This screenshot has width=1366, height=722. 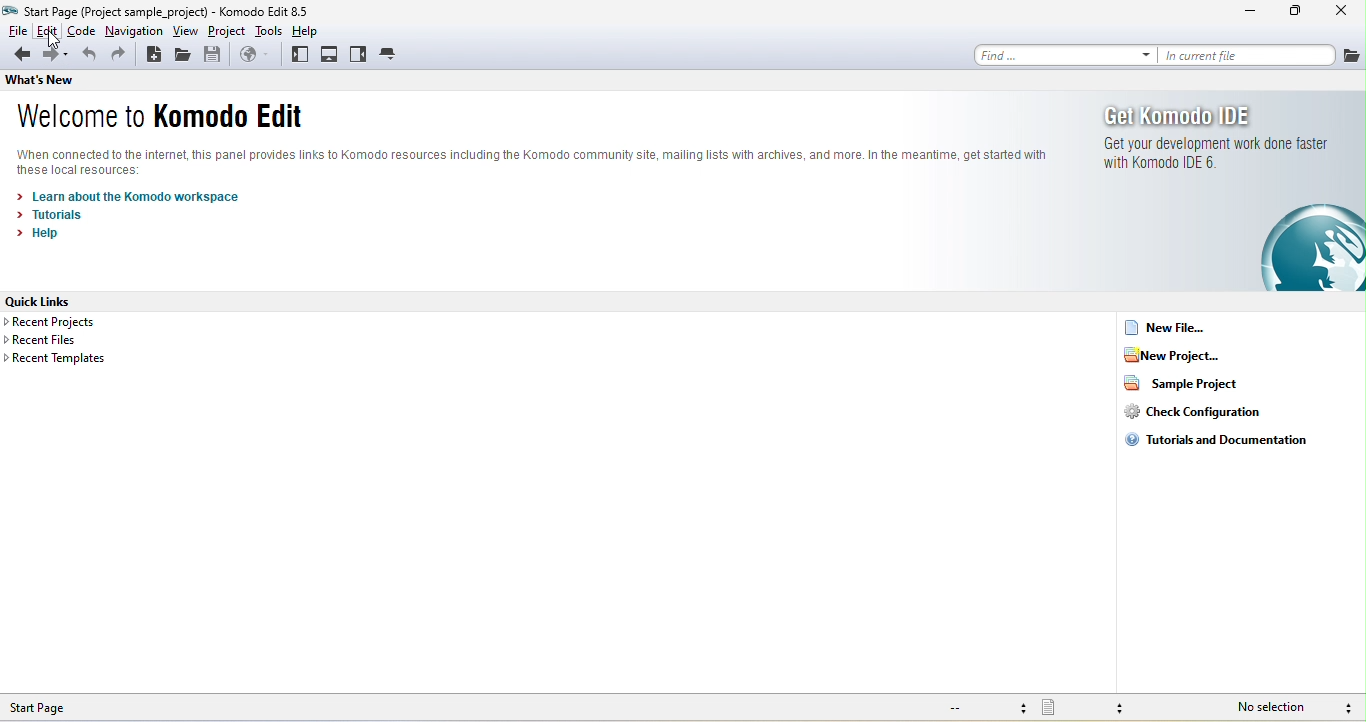 What do you see at coordinates (542, 162) in the screenshot?
I see `komodo text` at bounding box center [542, 162].